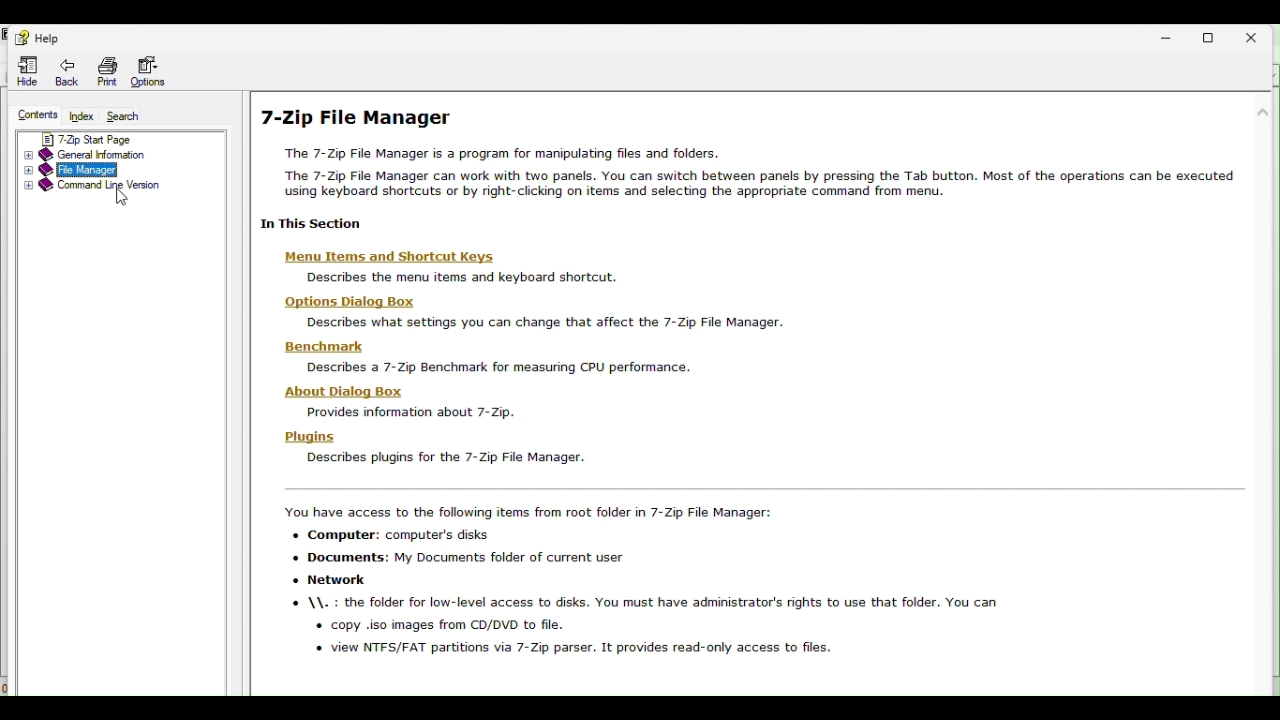  I want to click on File manager, so click(123, 171).